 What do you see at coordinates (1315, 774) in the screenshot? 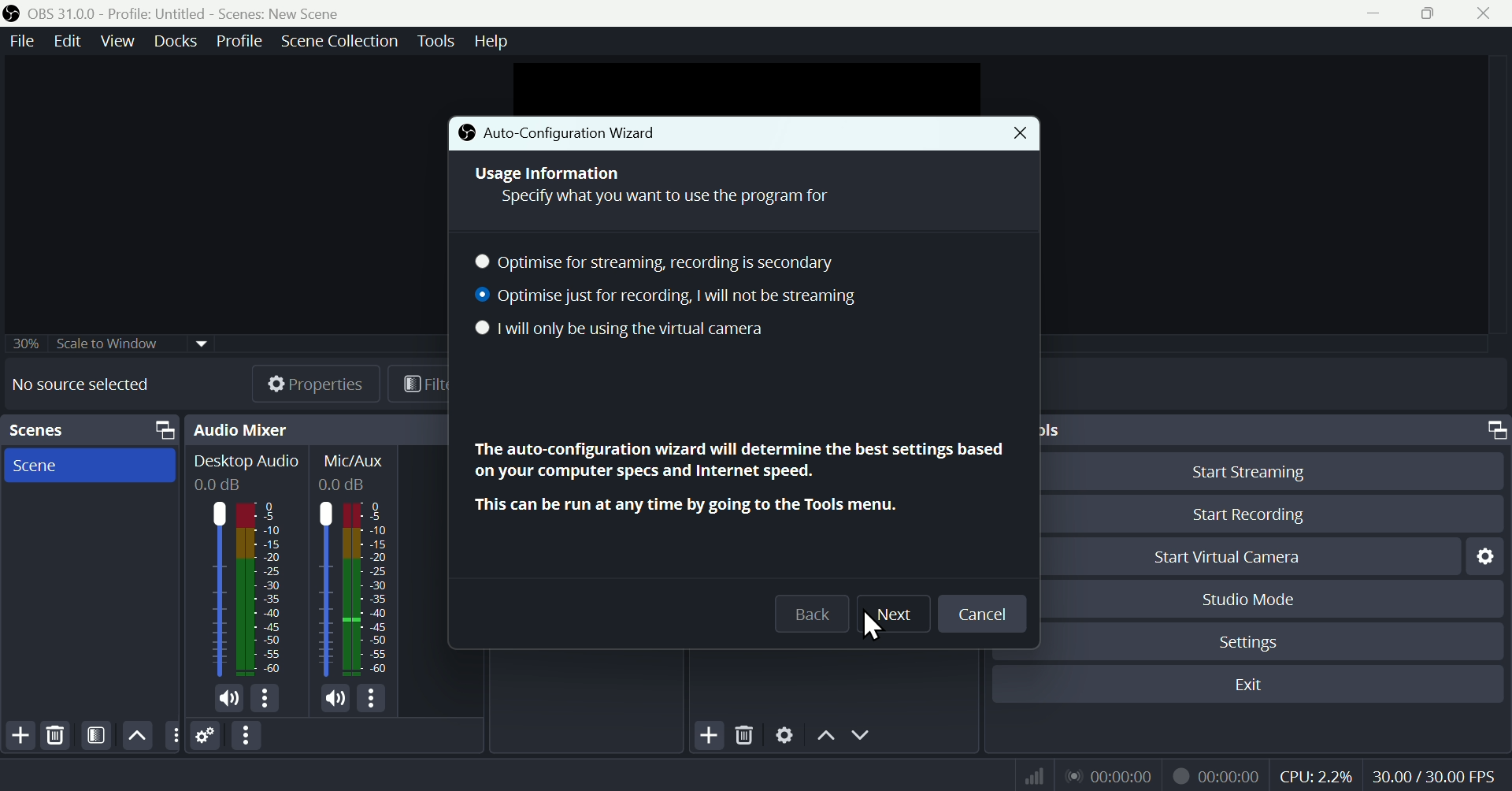
I see `CPU` at bounding box center [1315, 774].